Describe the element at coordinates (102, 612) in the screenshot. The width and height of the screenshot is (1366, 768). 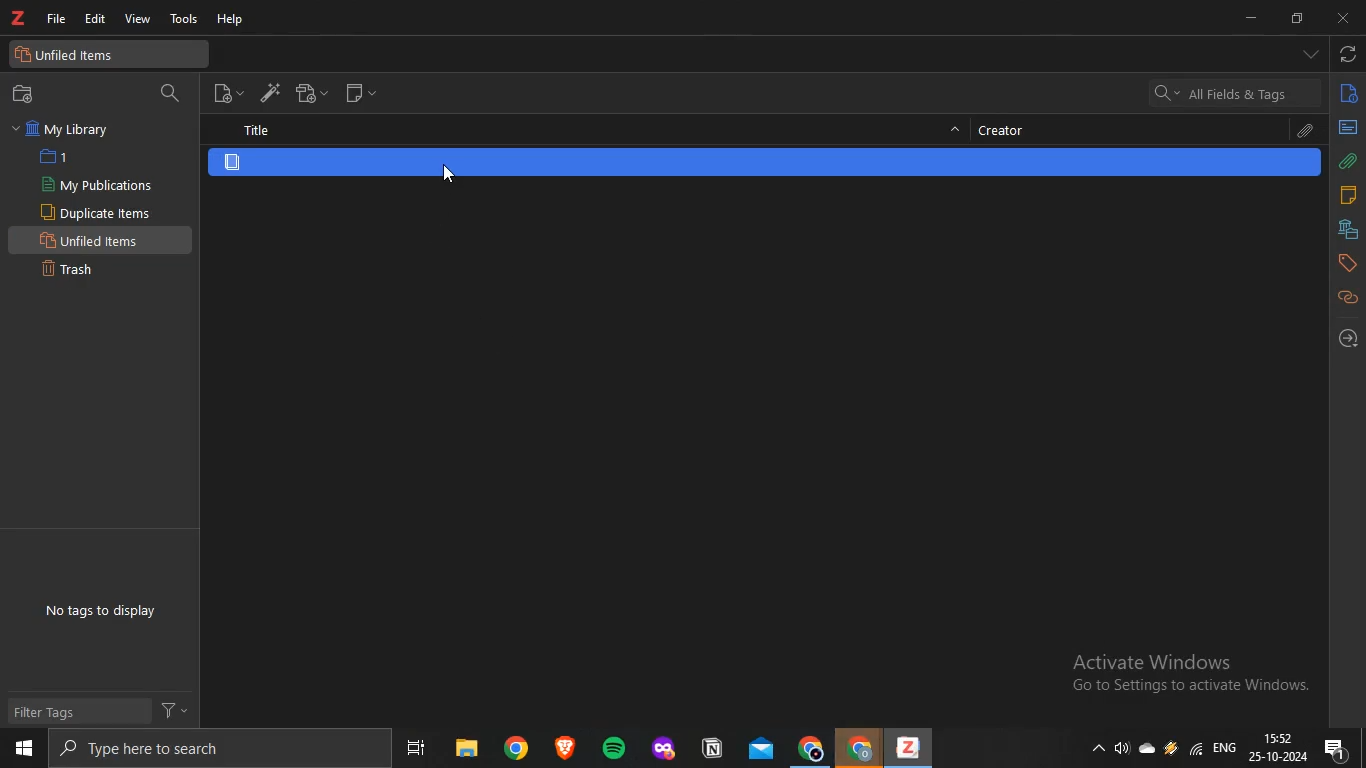
I see `No tags to display` at that location.